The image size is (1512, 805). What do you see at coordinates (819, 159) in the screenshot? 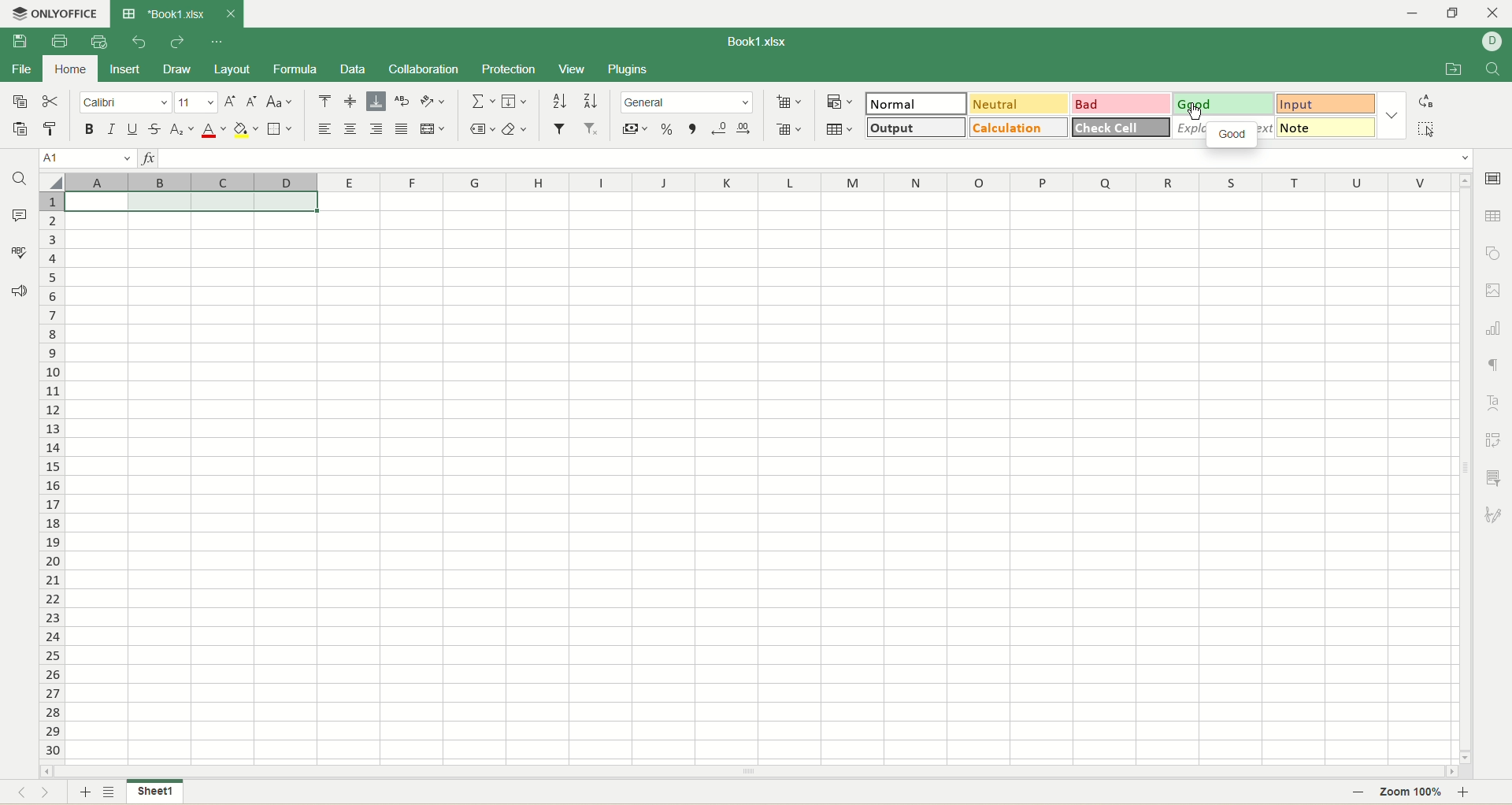
I see `input line` at bounding box center [819, 159].